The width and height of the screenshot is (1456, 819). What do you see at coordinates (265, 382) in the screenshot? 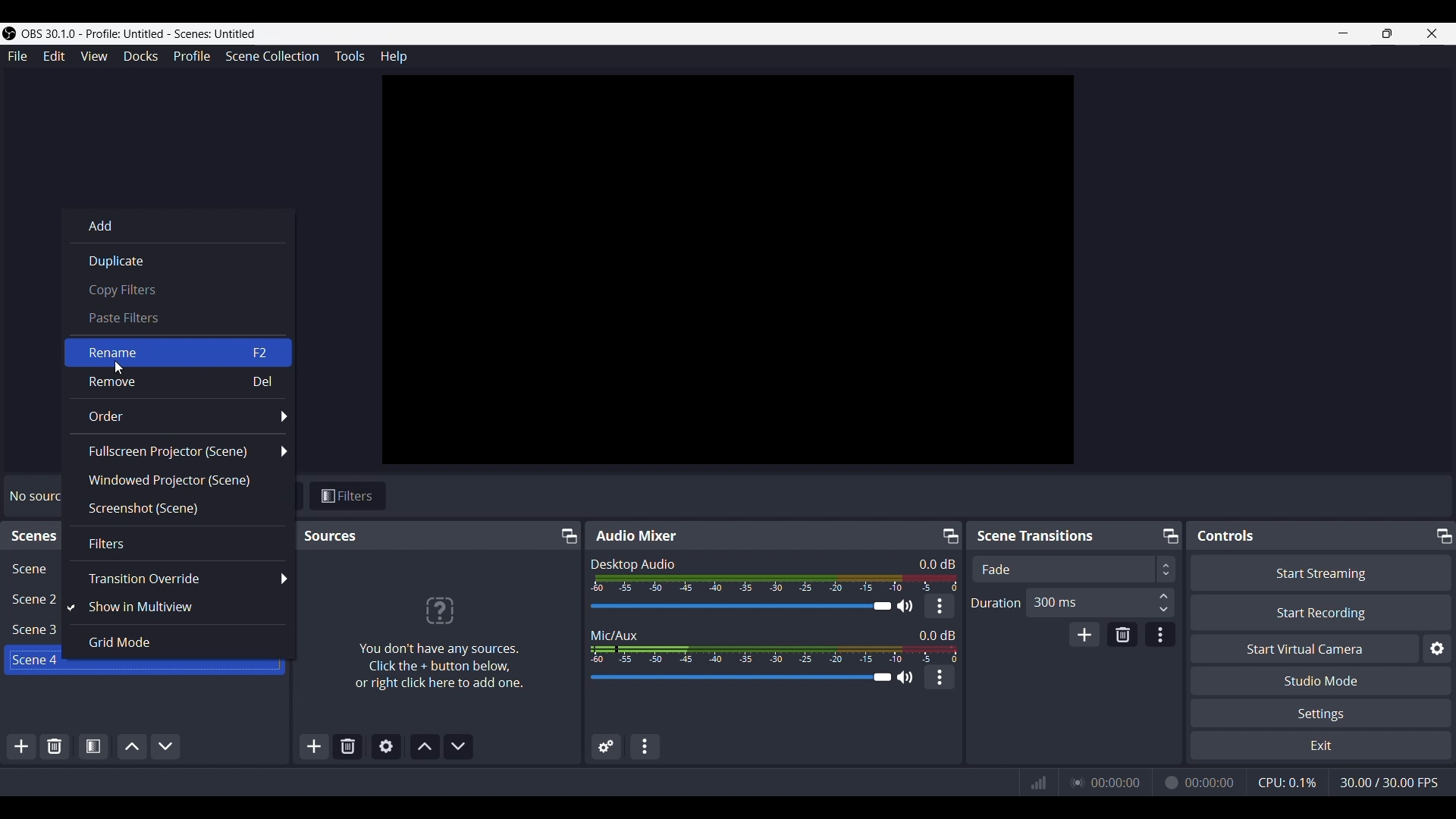
I see `Del` at bounding box center [265, 382].